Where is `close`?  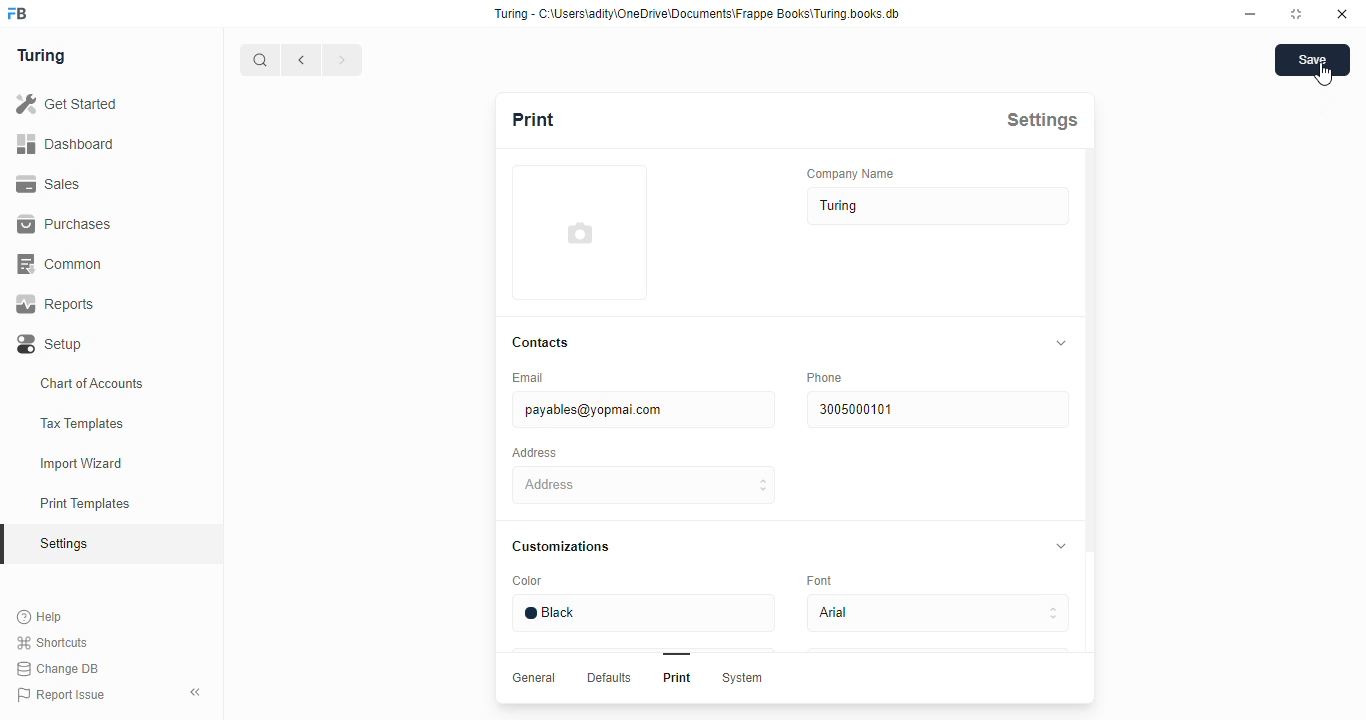 close is located at coordinates (1345, 16).